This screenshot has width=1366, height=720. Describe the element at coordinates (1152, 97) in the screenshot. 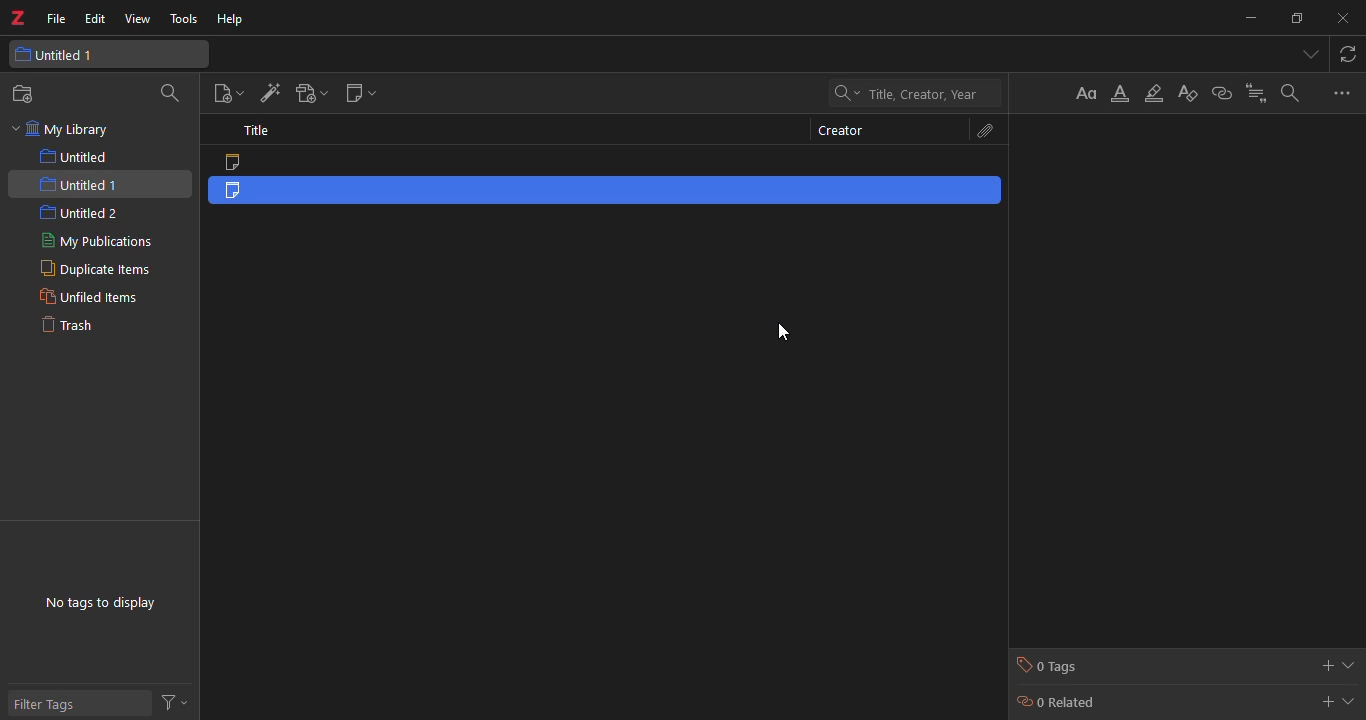

I see `highlight text` at that location.